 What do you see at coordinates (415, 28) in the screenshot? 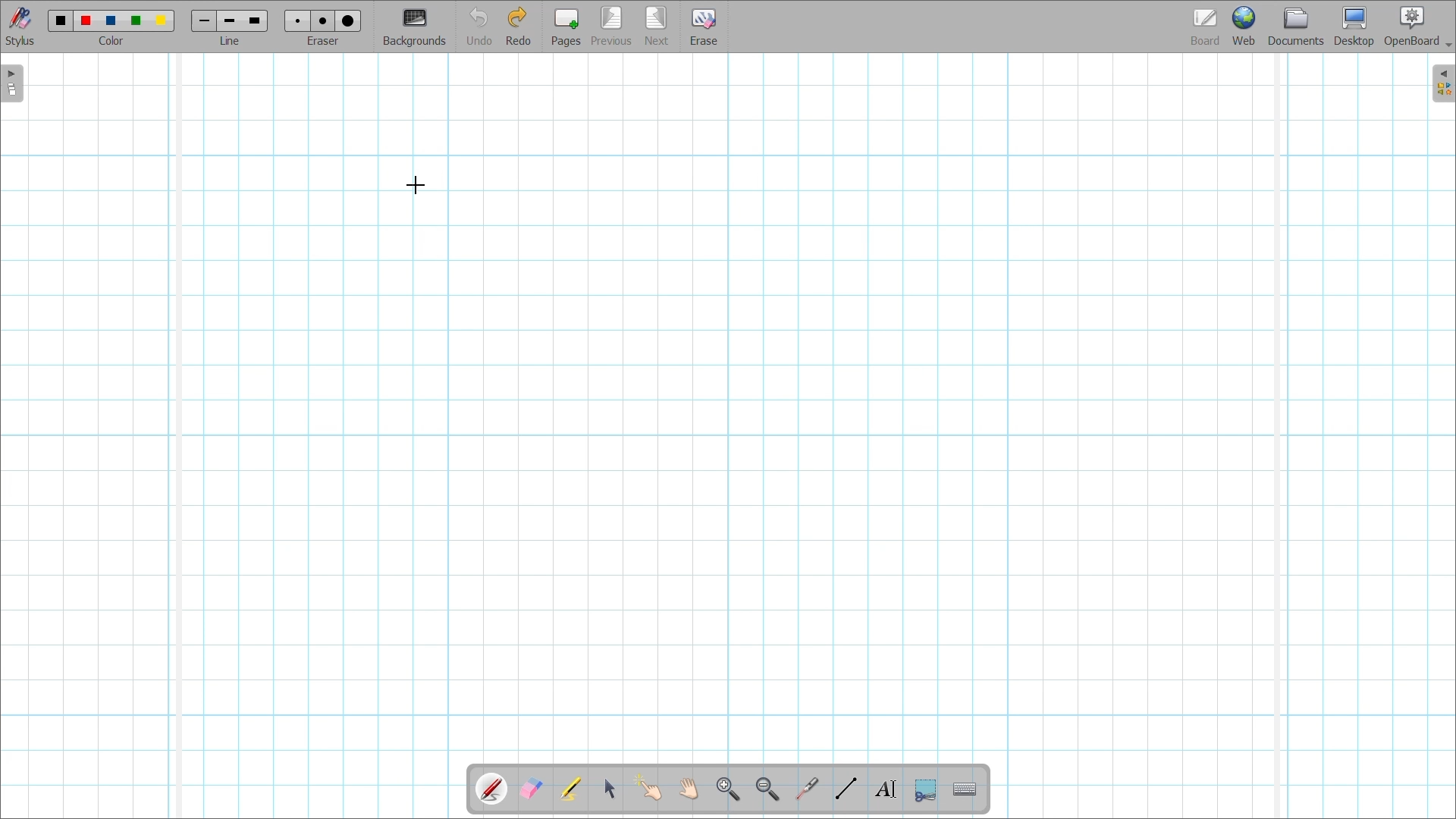
I see `Change background` at bounding box center [415, 28].